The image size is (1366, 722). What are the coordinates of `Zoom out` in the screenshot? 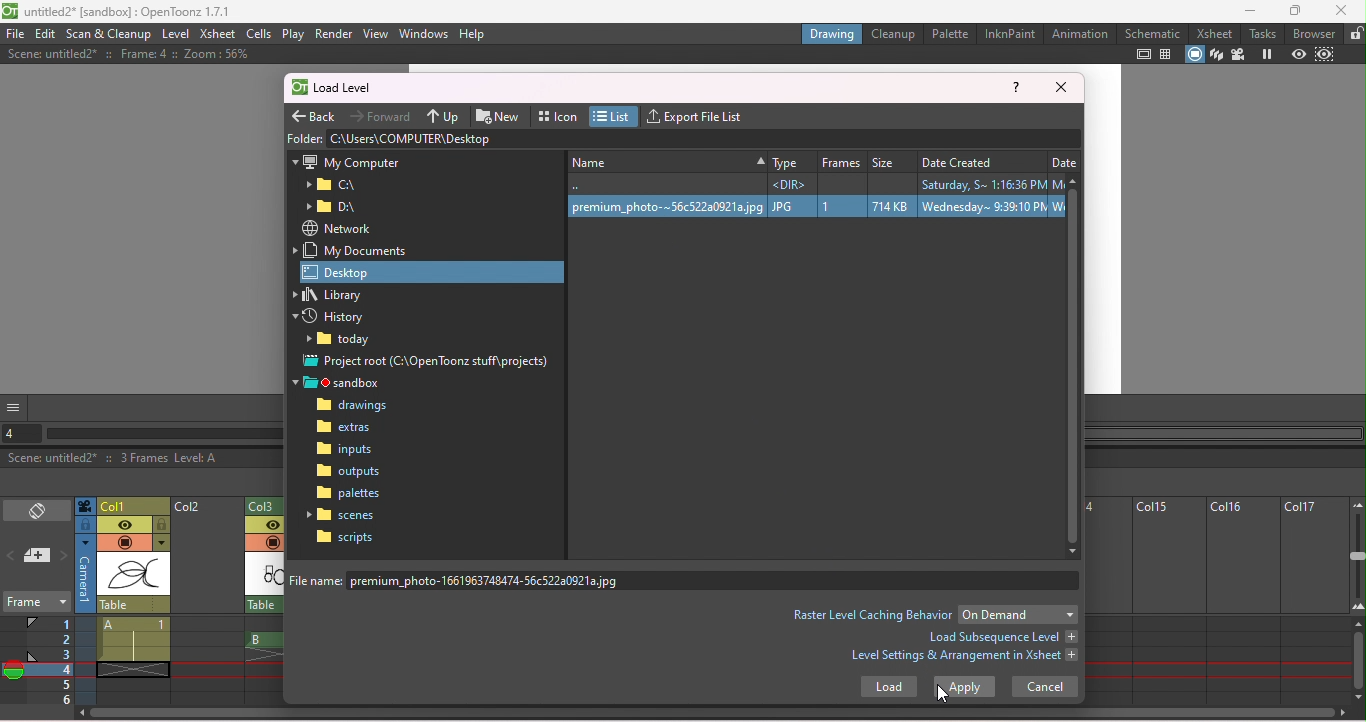 It's located at (1356, 504).